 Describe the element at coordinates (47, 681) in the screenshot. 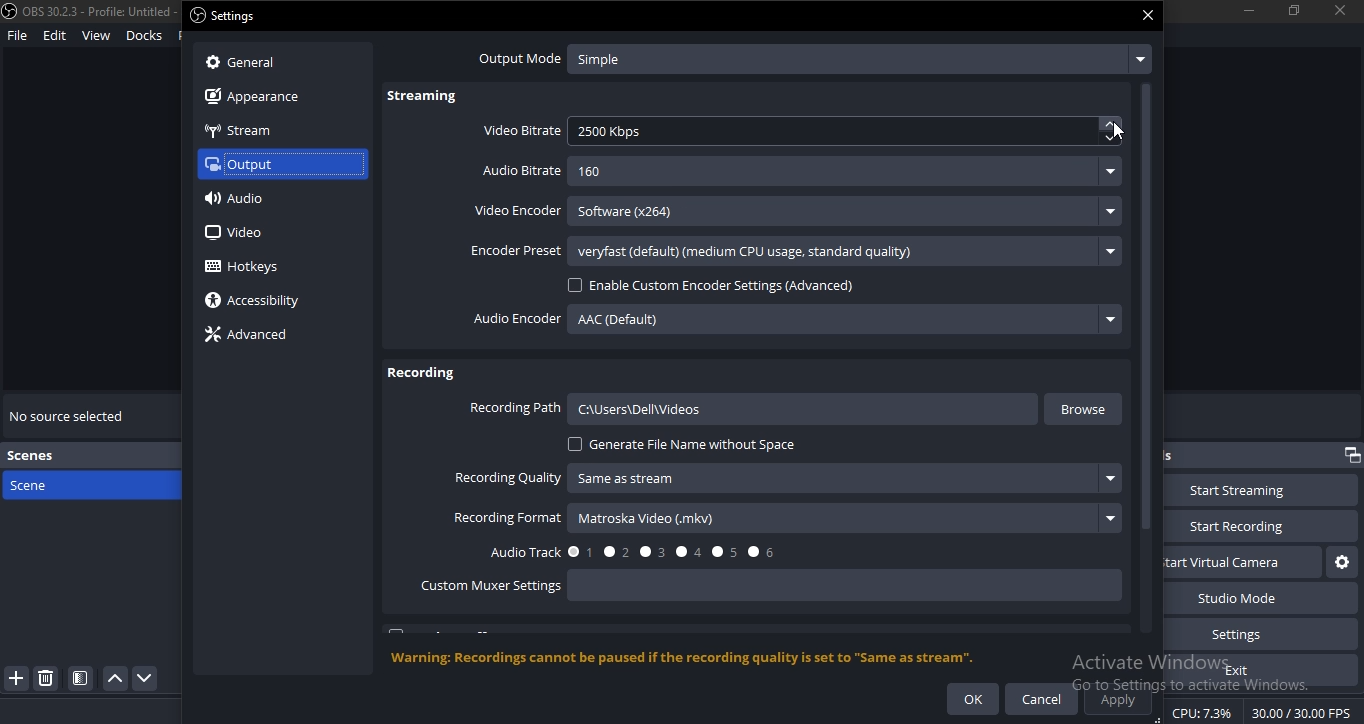

I see `delete scene` at that location.